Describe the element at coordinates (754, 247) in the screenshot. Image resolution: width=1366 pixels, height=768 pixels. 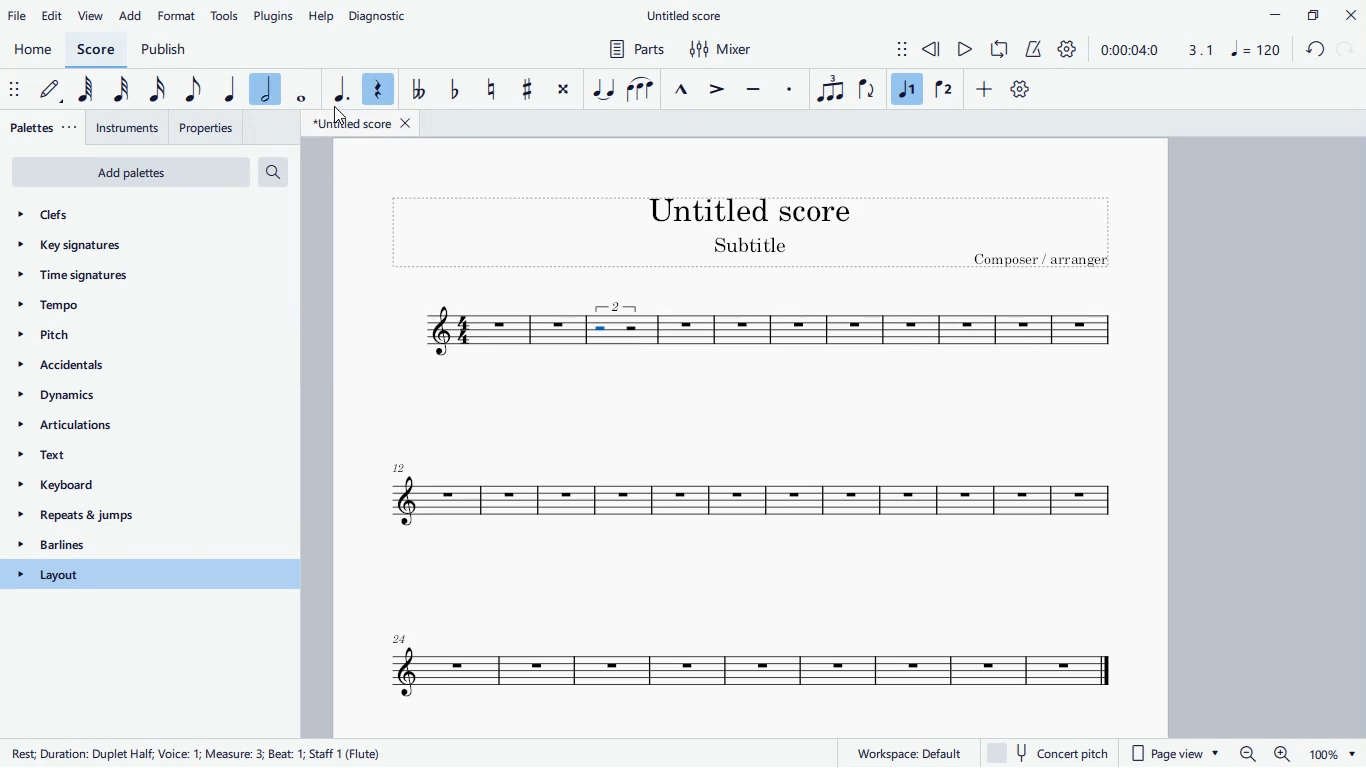
I see `score subtitle` at that location.